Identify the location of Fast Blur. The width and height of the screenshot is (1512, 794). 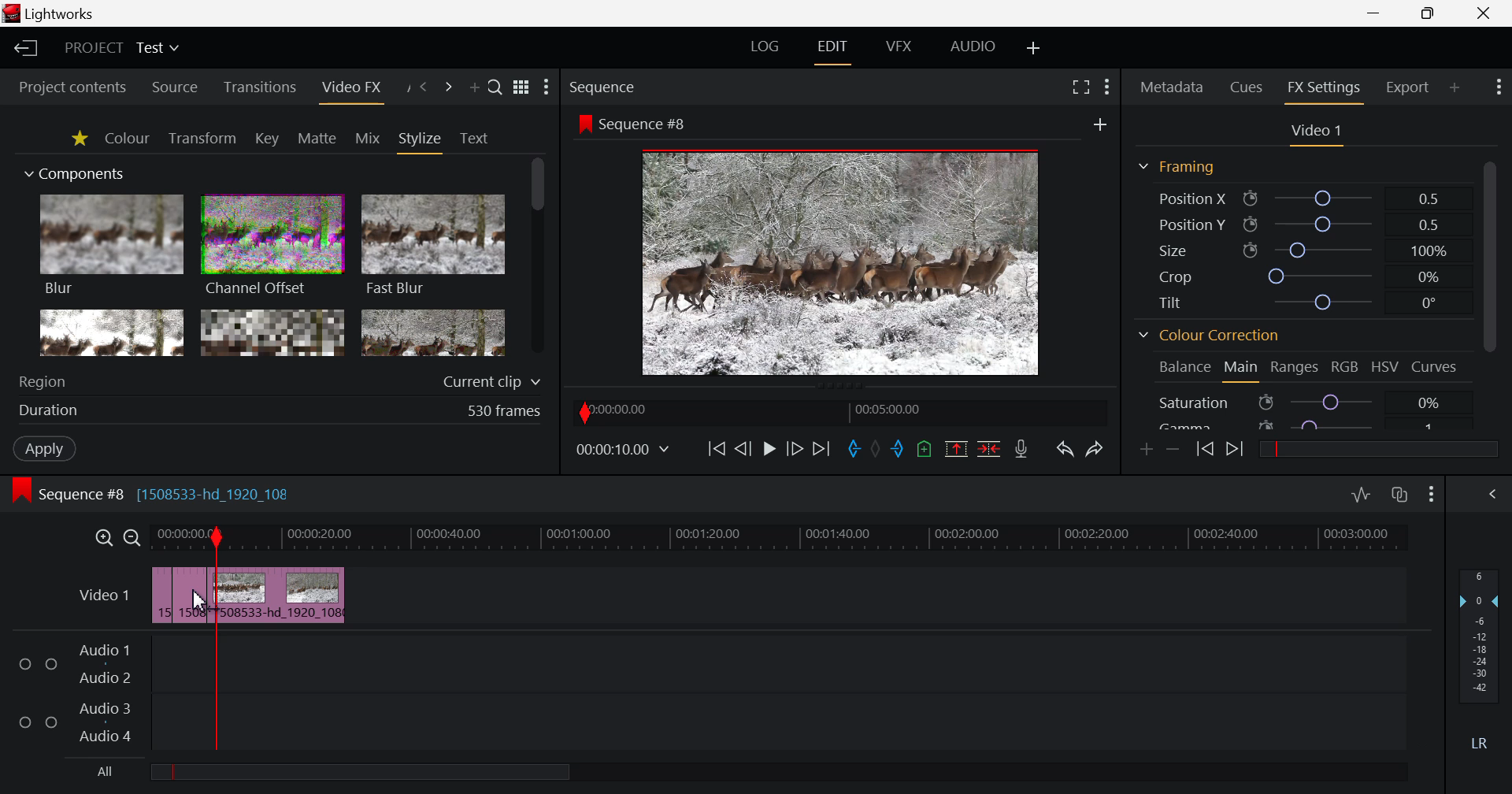
(434, 247).